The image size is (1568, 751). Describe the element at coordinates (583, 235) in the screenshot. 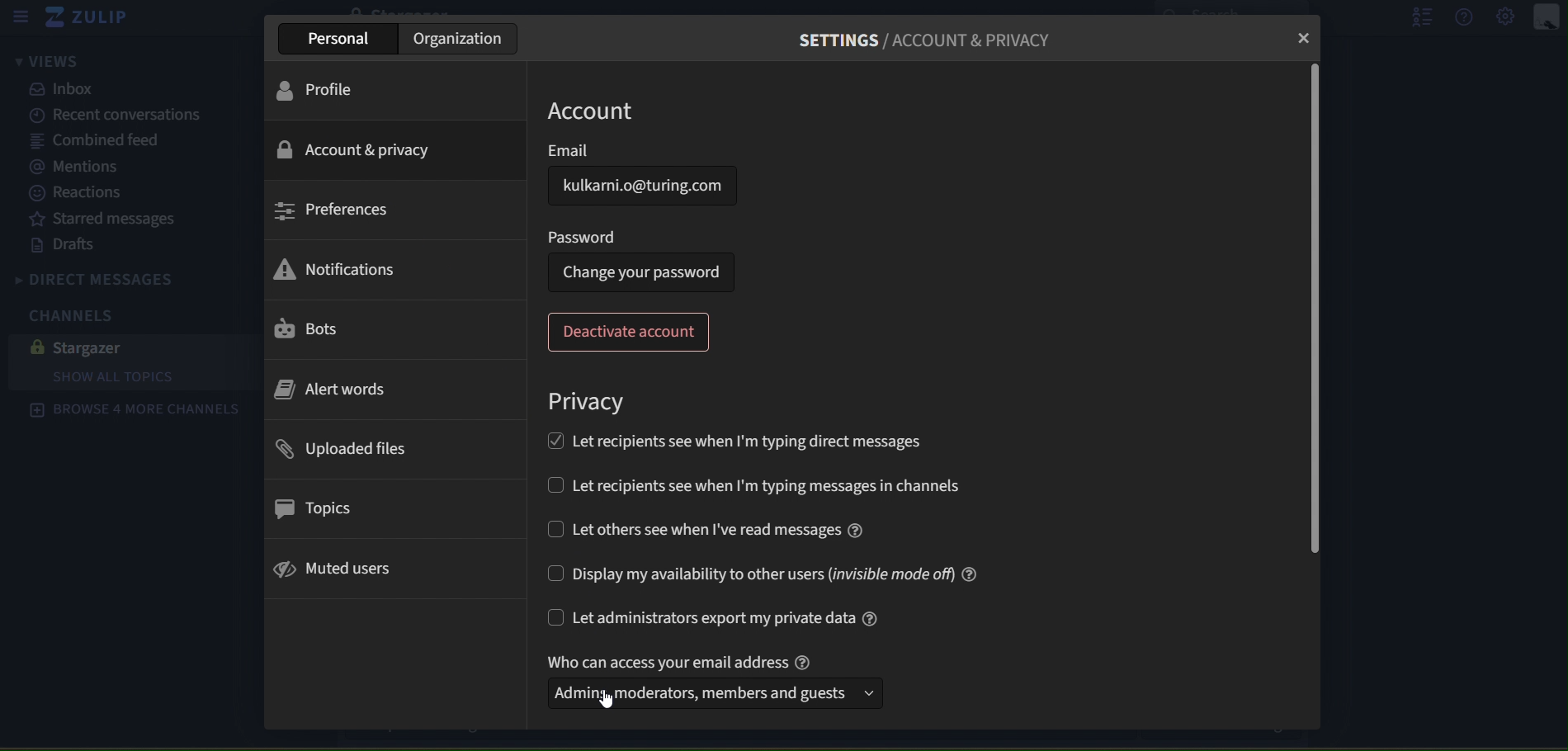

I see `password` at that location.